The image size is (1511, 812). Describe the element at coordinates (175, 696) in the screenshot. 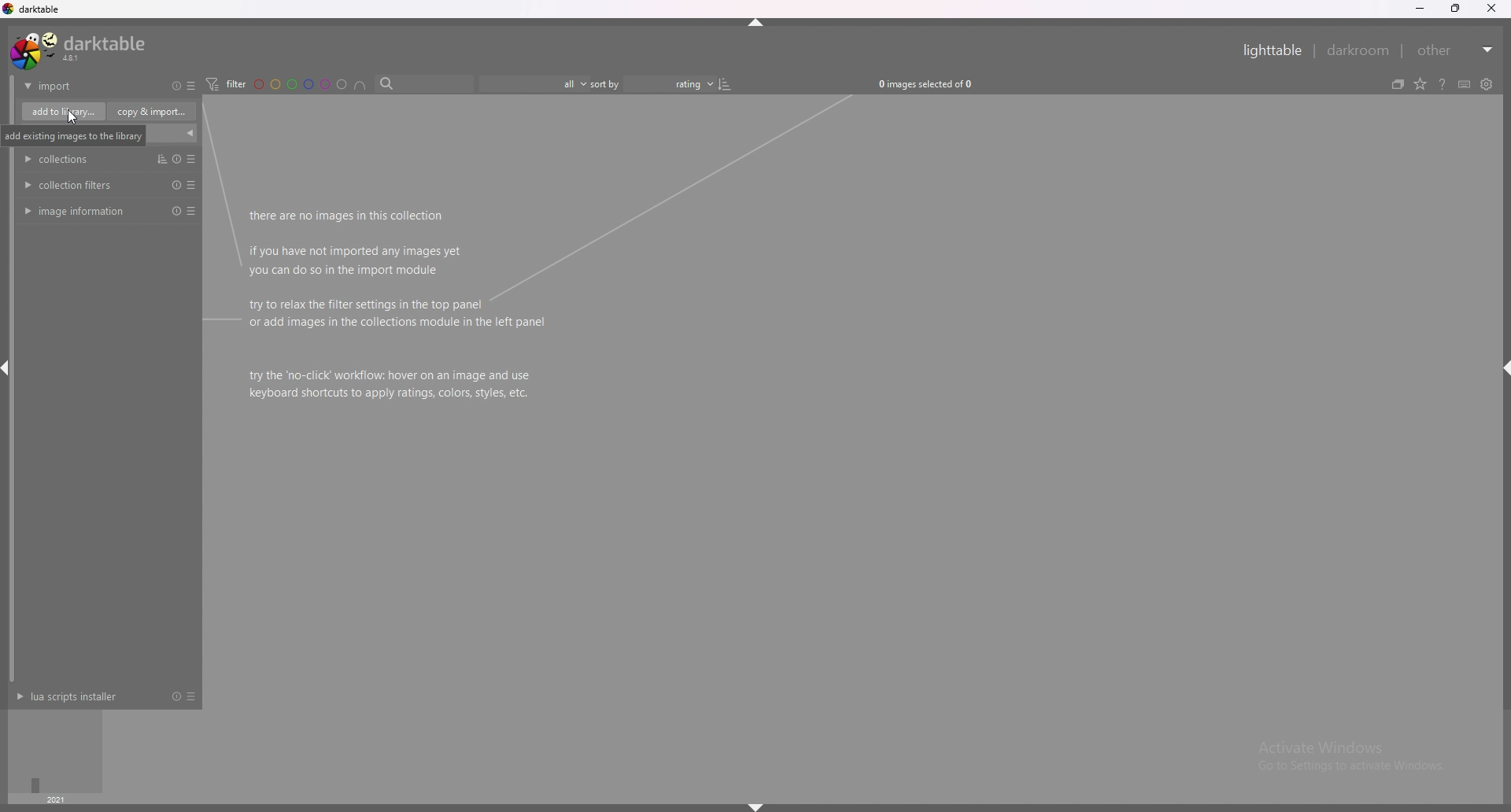

I see `reset` at that location.